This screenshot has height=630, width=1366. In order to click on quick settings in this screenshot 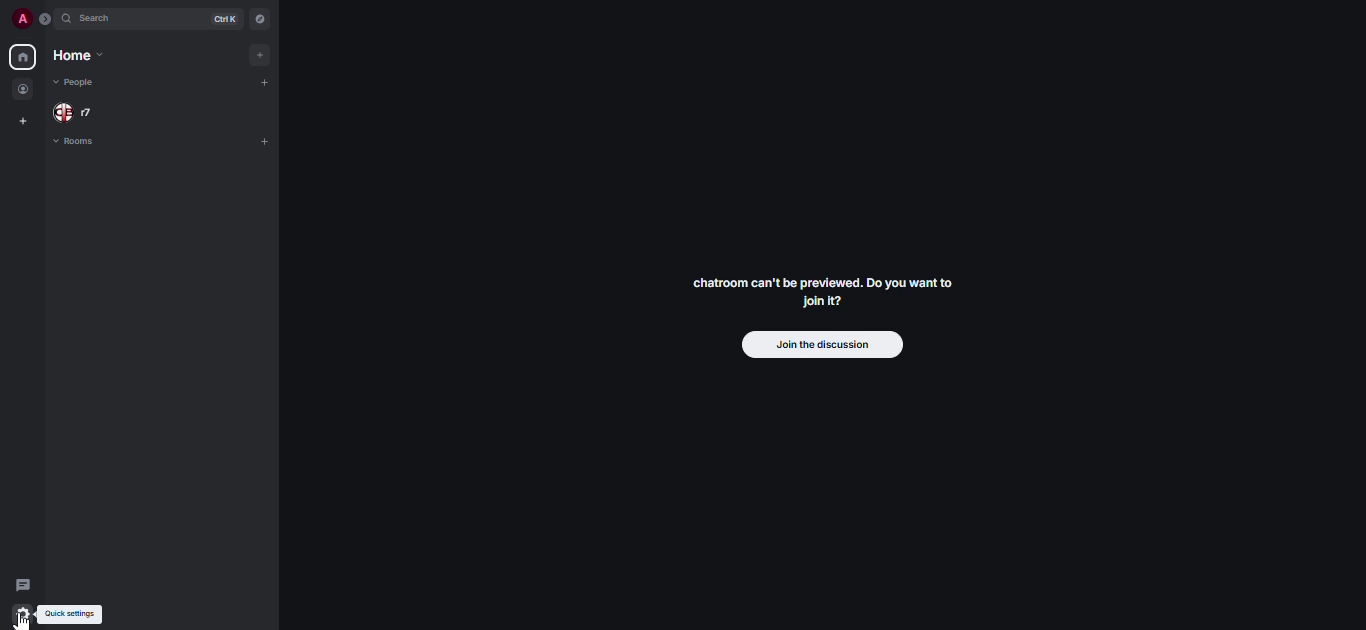, I will do `click(74, 615)`.